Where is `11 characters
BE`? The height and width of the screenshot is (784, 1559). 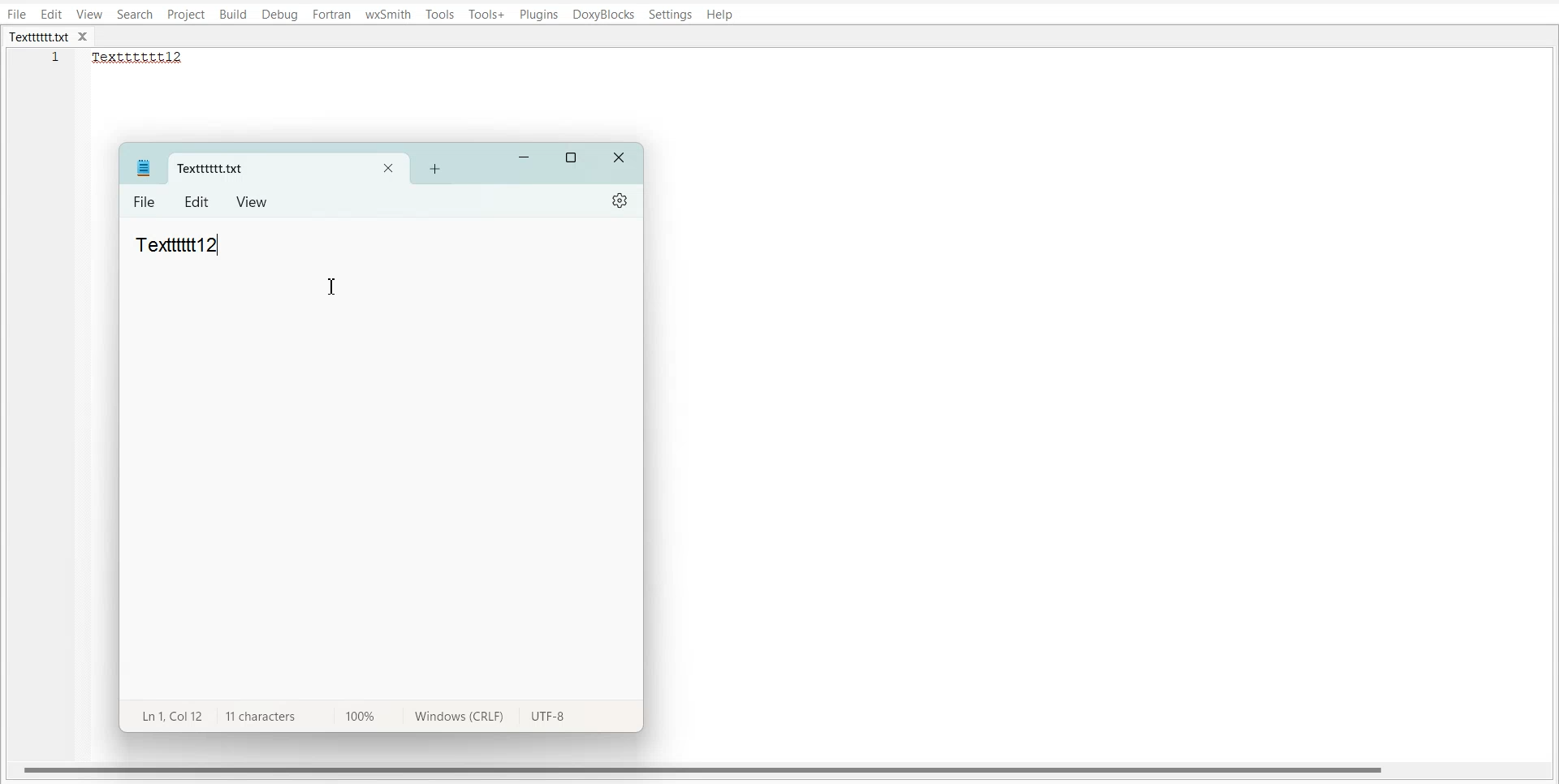 11 characters
BE is located at coordinates (260, 717).